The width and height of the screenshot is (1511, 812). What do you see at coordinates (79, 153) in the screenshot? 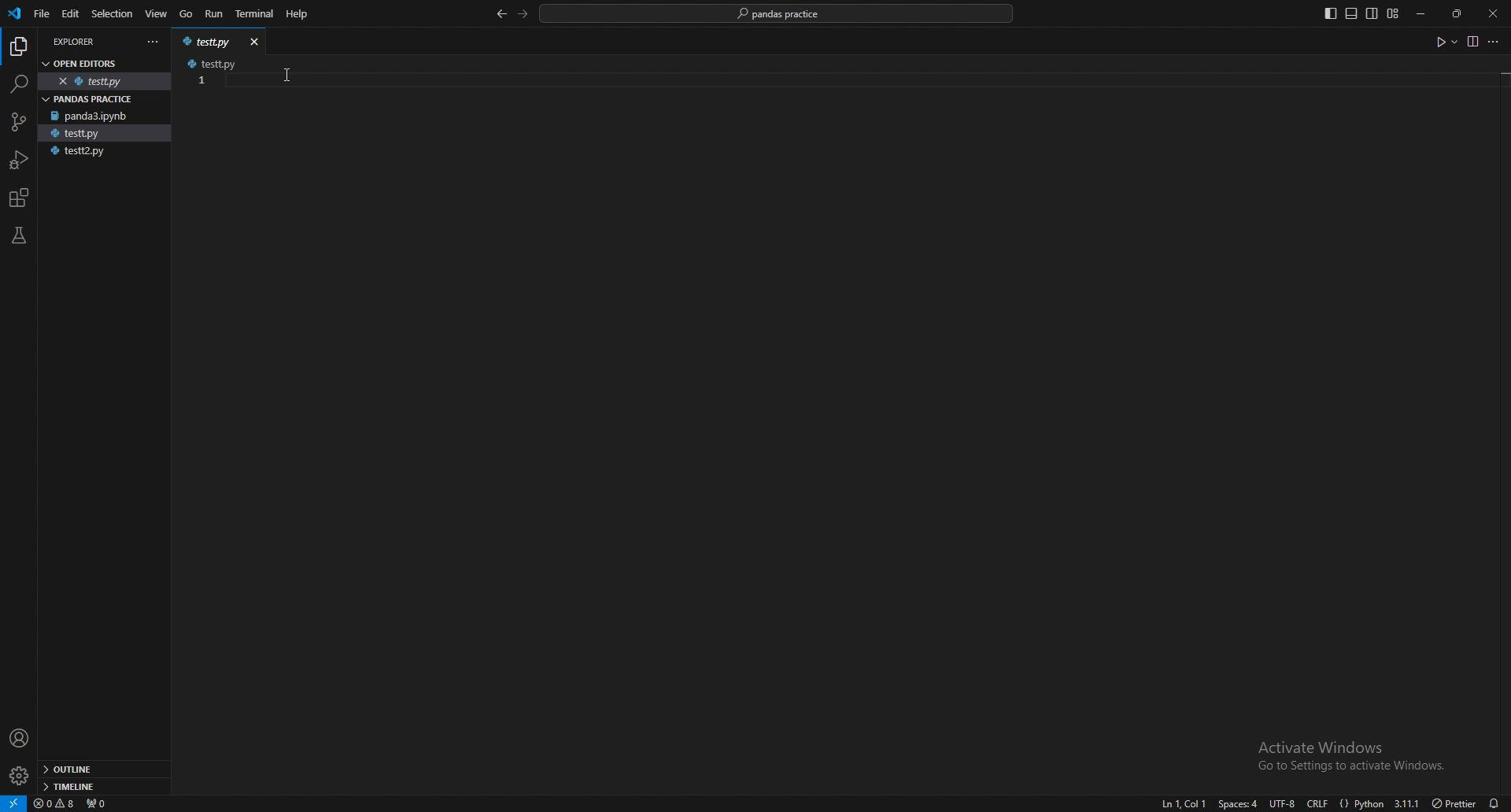
I see `testt2.py` at bounding box center [79, 153].